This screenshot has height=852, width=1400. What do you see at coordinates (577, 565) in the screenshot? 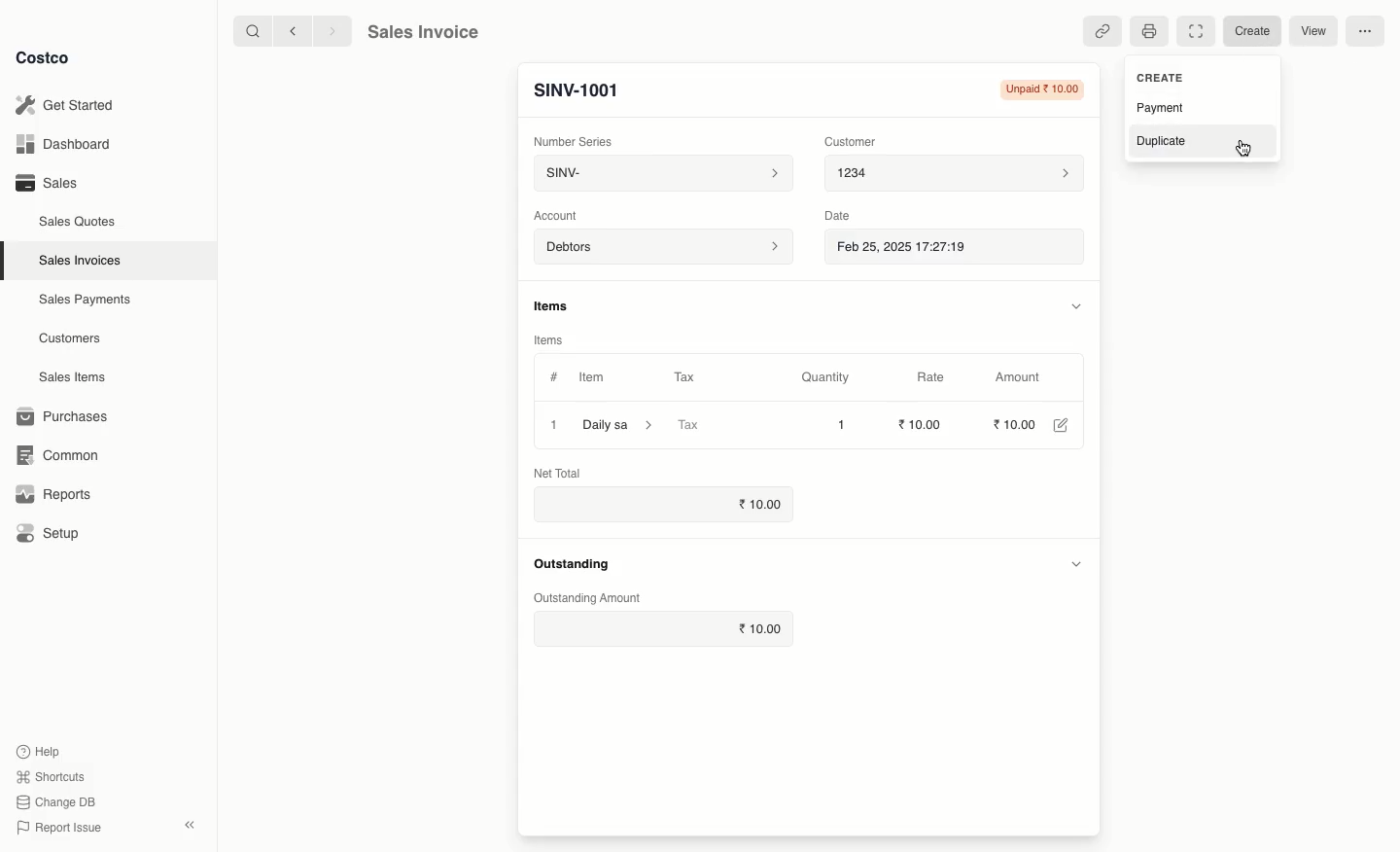
I see `Outstanding` at bounding box center [577, 565].